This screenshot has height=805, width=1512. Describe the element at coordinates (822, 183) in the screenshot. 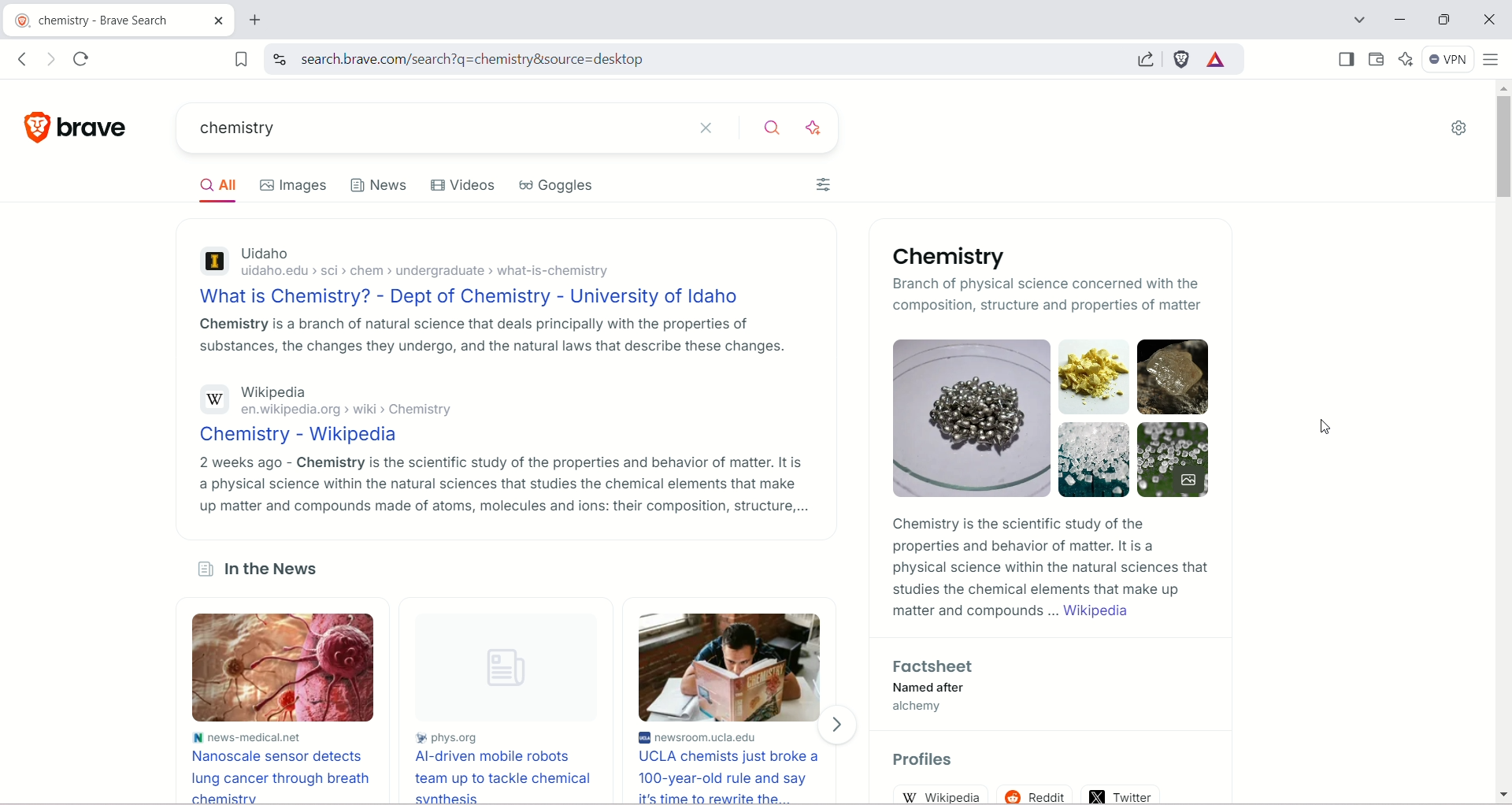

I see `Filter` at that location.